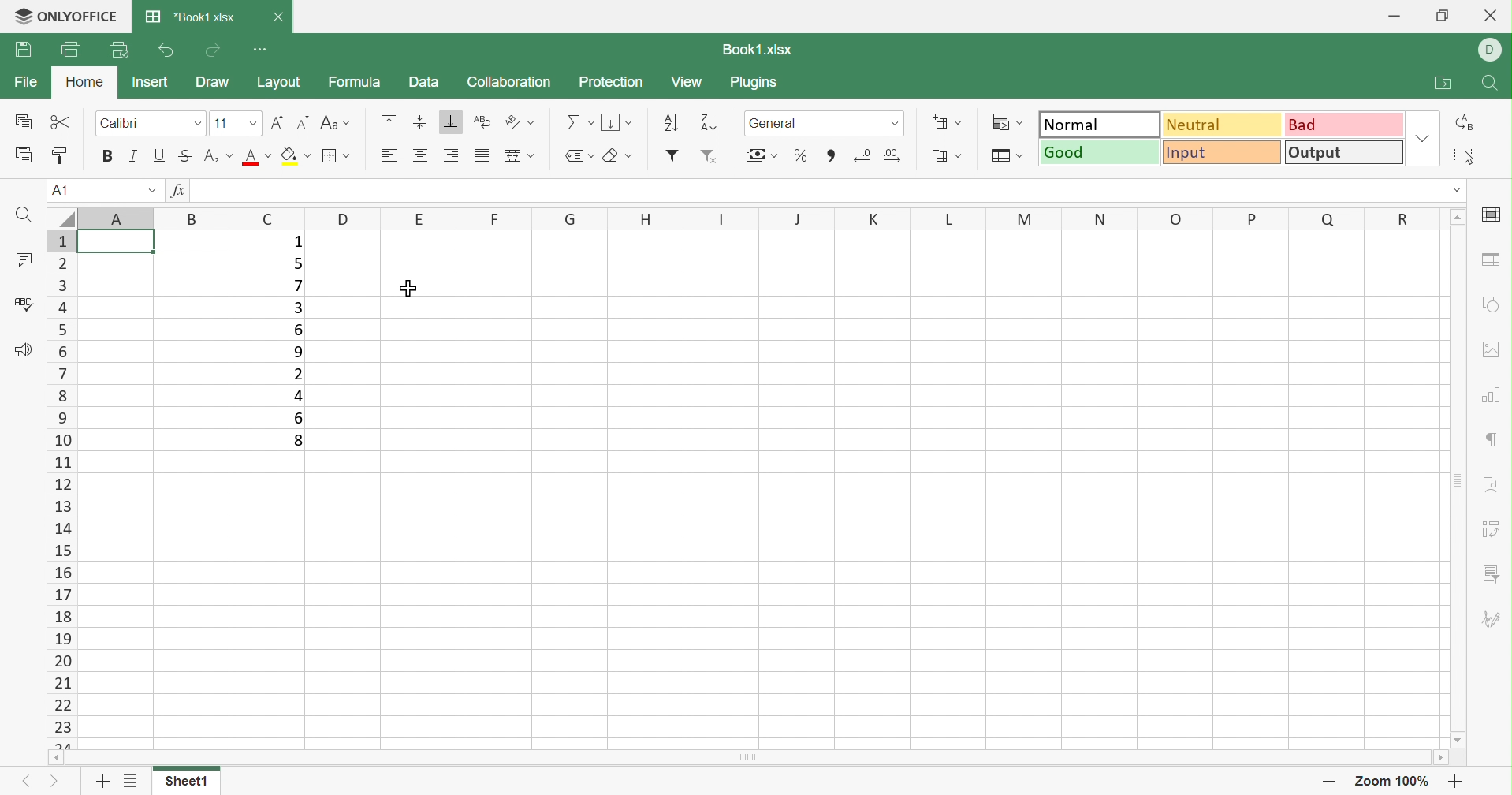 The width and height of the screenshot is (1512, 795). Describe the element at coordinates (1454, 480) in the screenshot. I see `Scroll Bar` at that location.